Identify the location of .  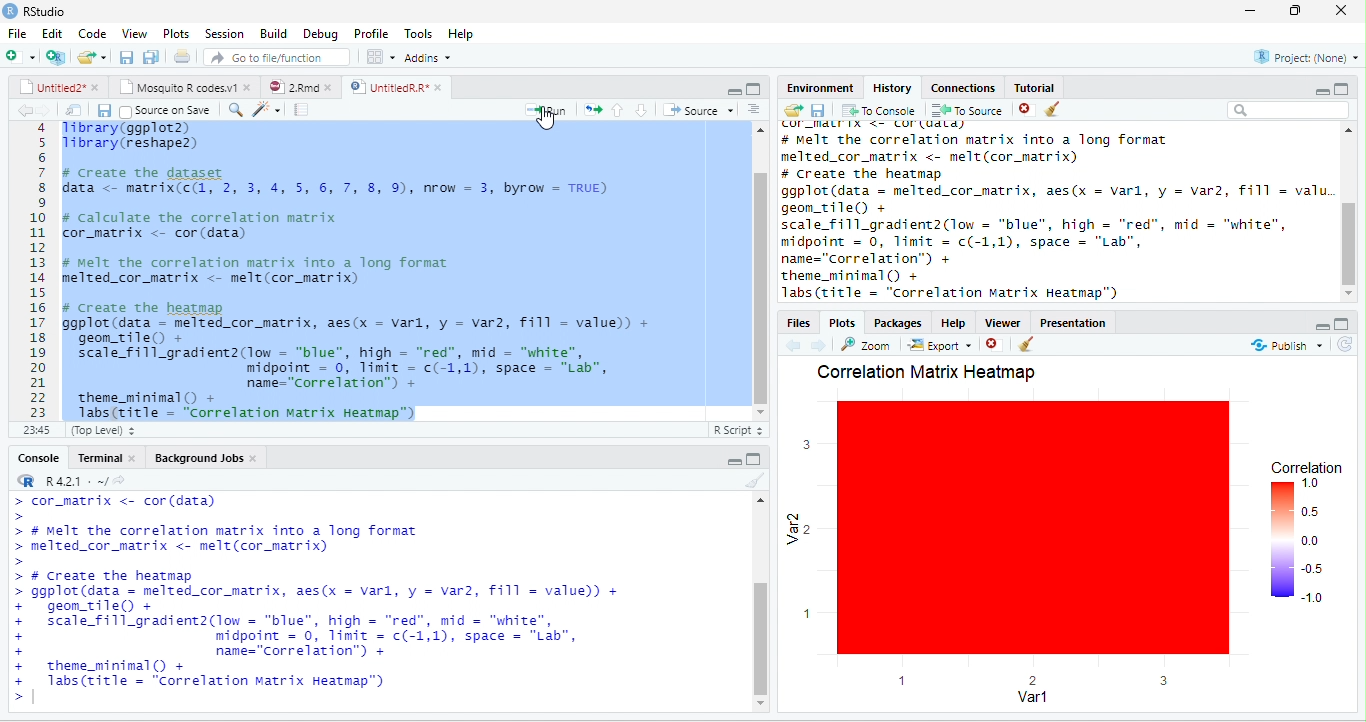
(1348, 347).